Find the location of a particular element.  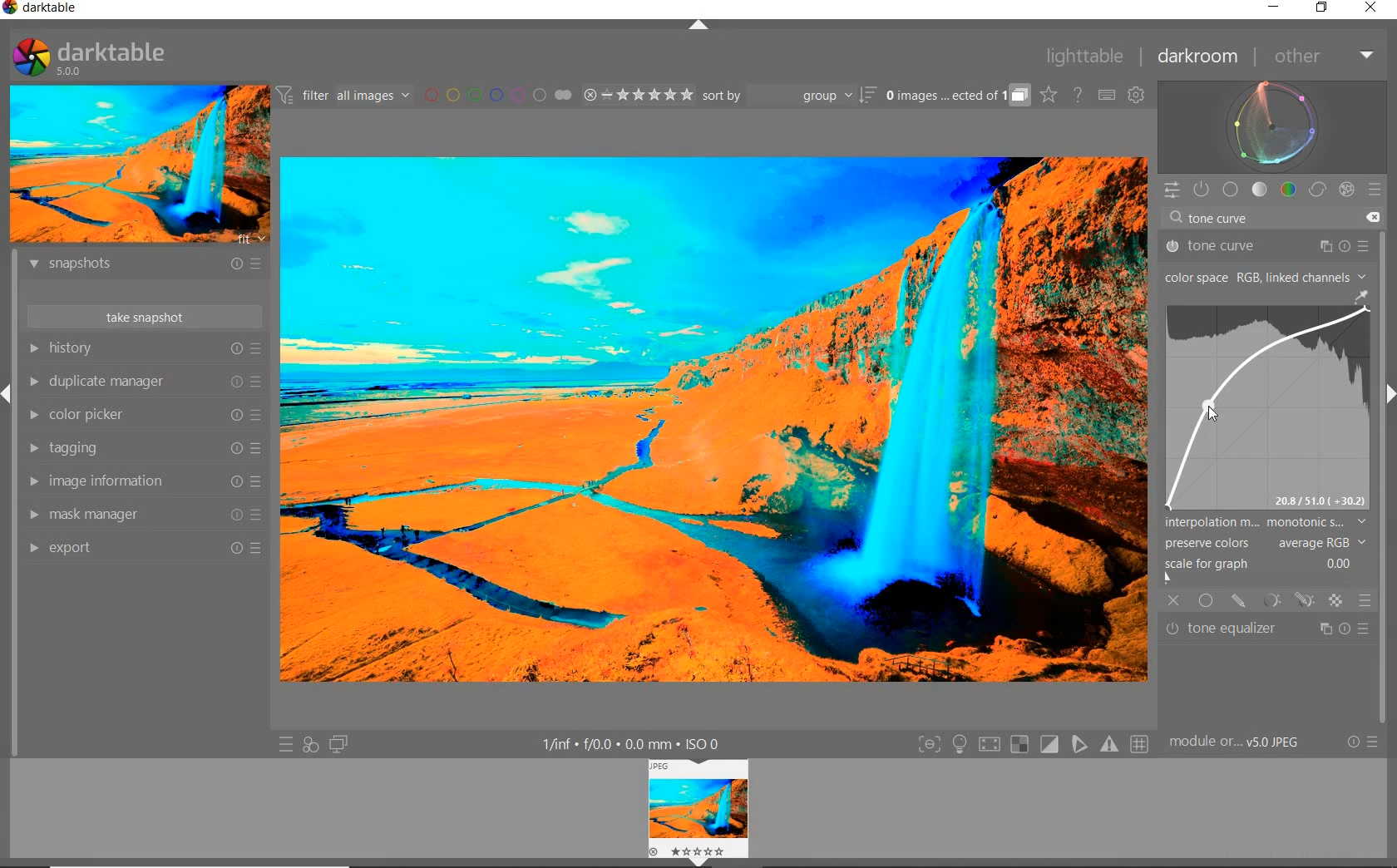

SYSTEM LOGO is located at coordinates (90, 57).